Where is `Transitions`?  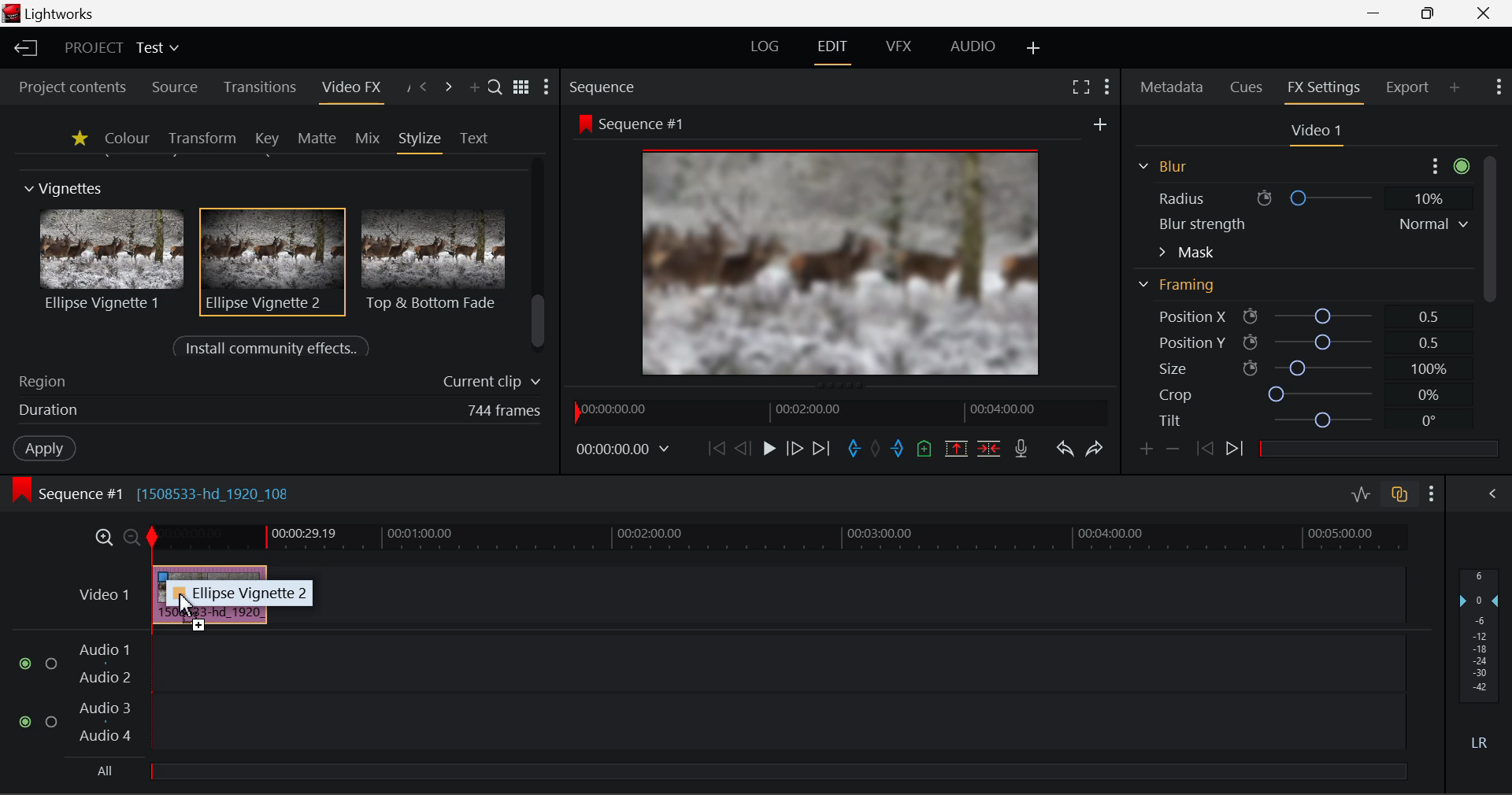
Transitions is located at coordinates (258, 88).